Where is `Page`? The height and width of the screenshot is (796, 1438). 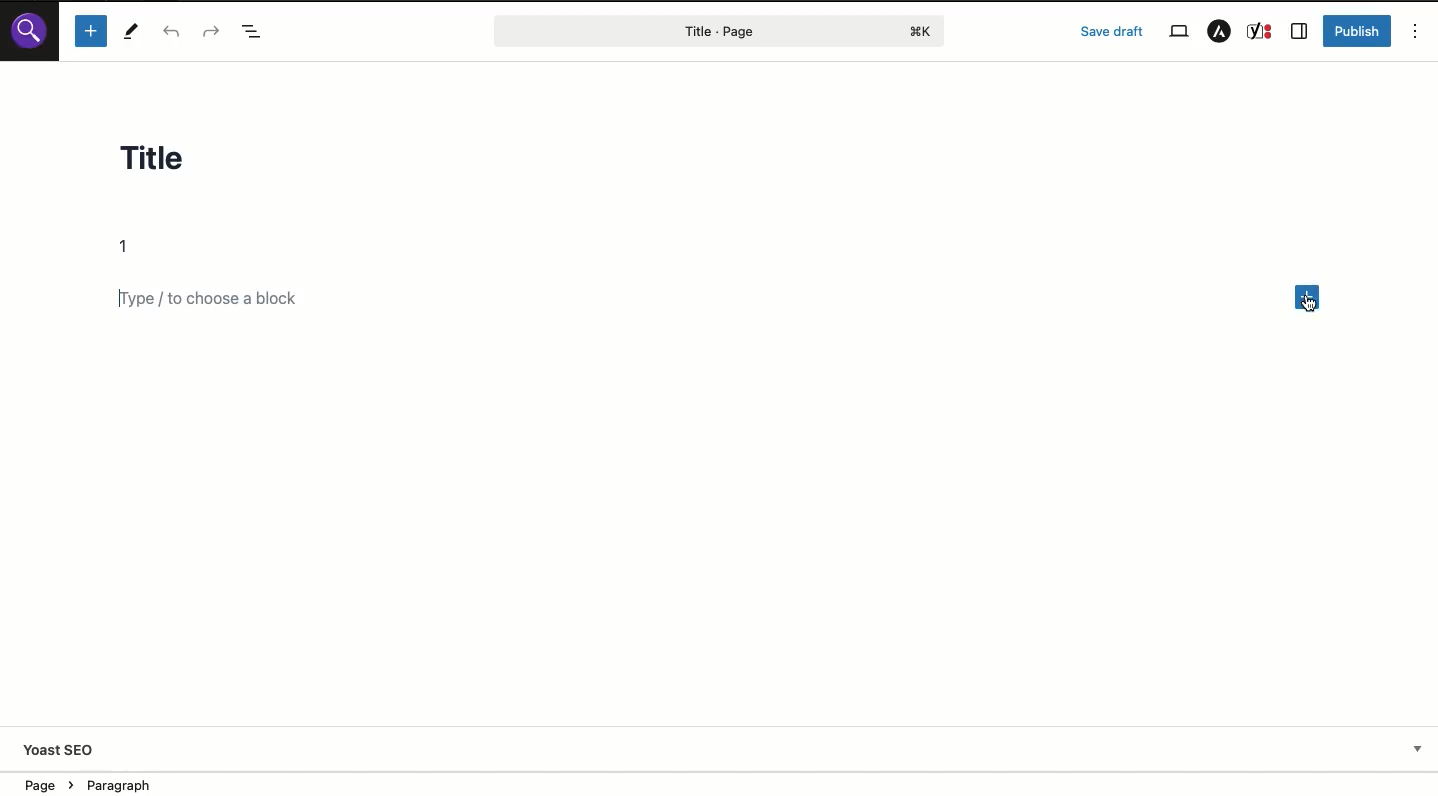
Page is located at coordinates (678, 31).